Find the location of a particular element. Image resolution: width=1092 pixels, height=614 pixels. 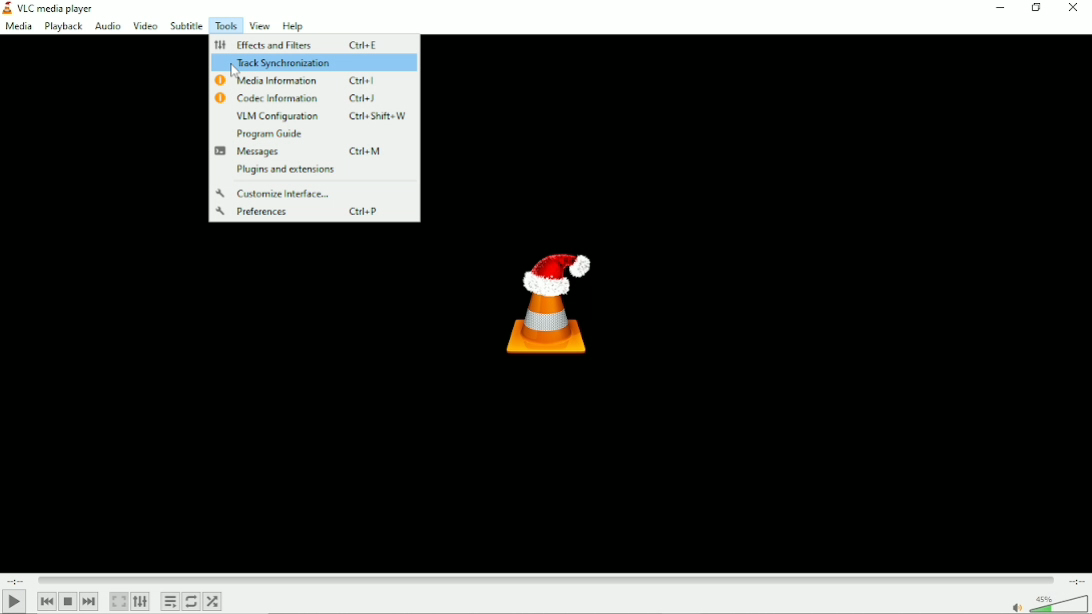

Title is located at coordinates (55, 8).